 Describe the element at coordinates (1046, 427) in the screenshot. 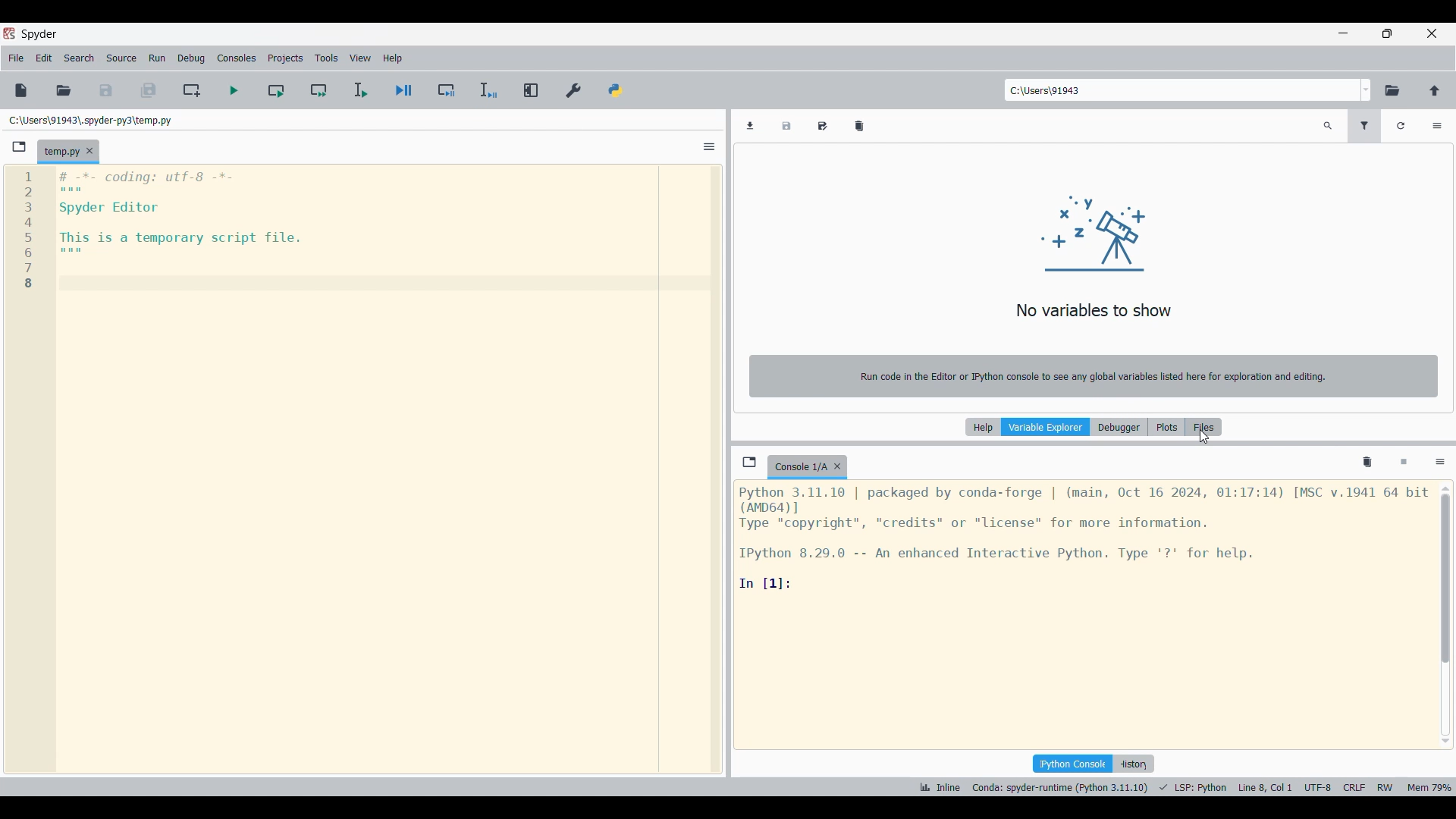

I see `Variable explorer` at that location.